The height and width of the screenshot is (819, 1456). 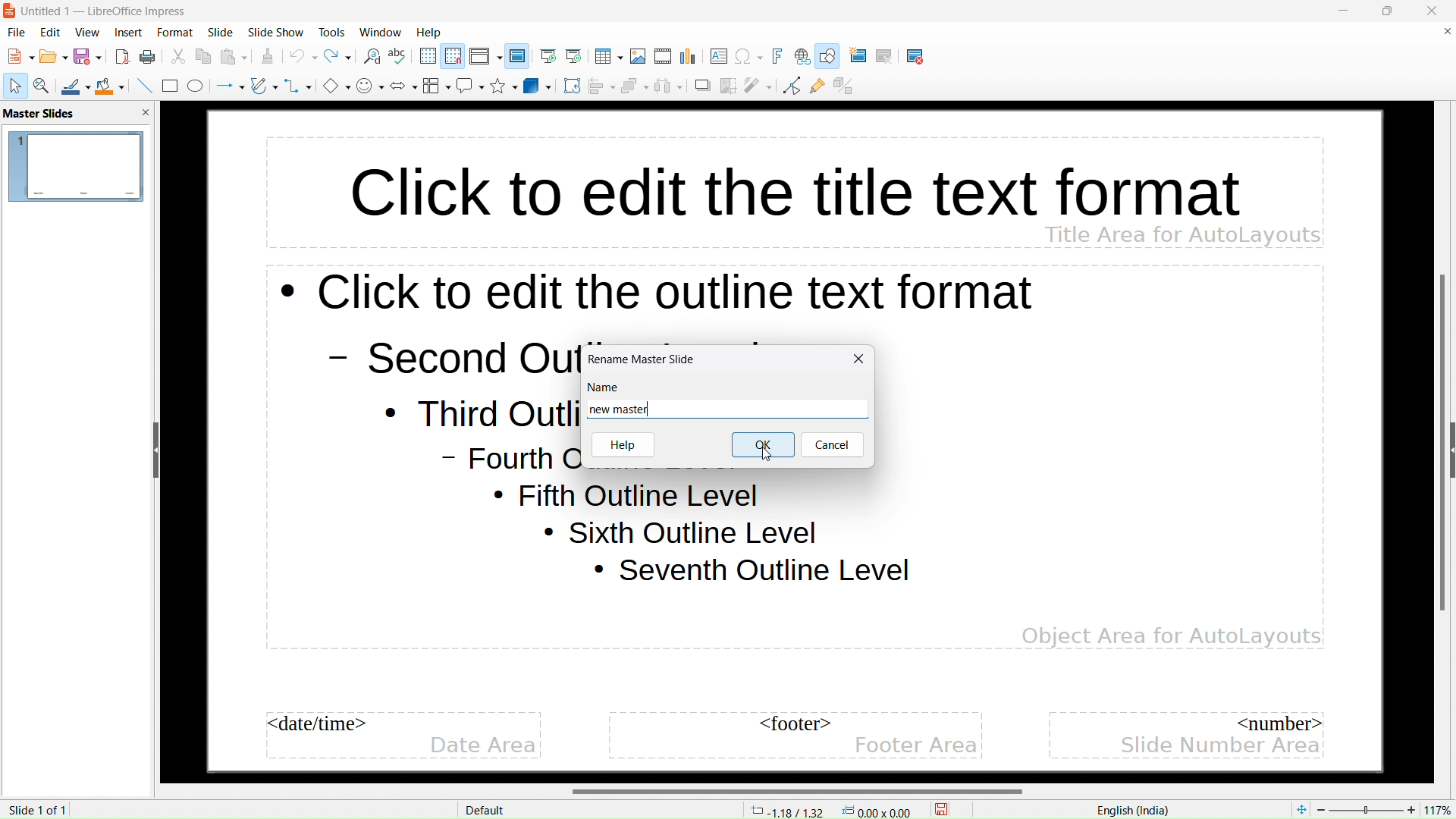 What do you see at coordinates (634, 86) in the screenshot?
I see `arrange` at bounding box center [634, 86].